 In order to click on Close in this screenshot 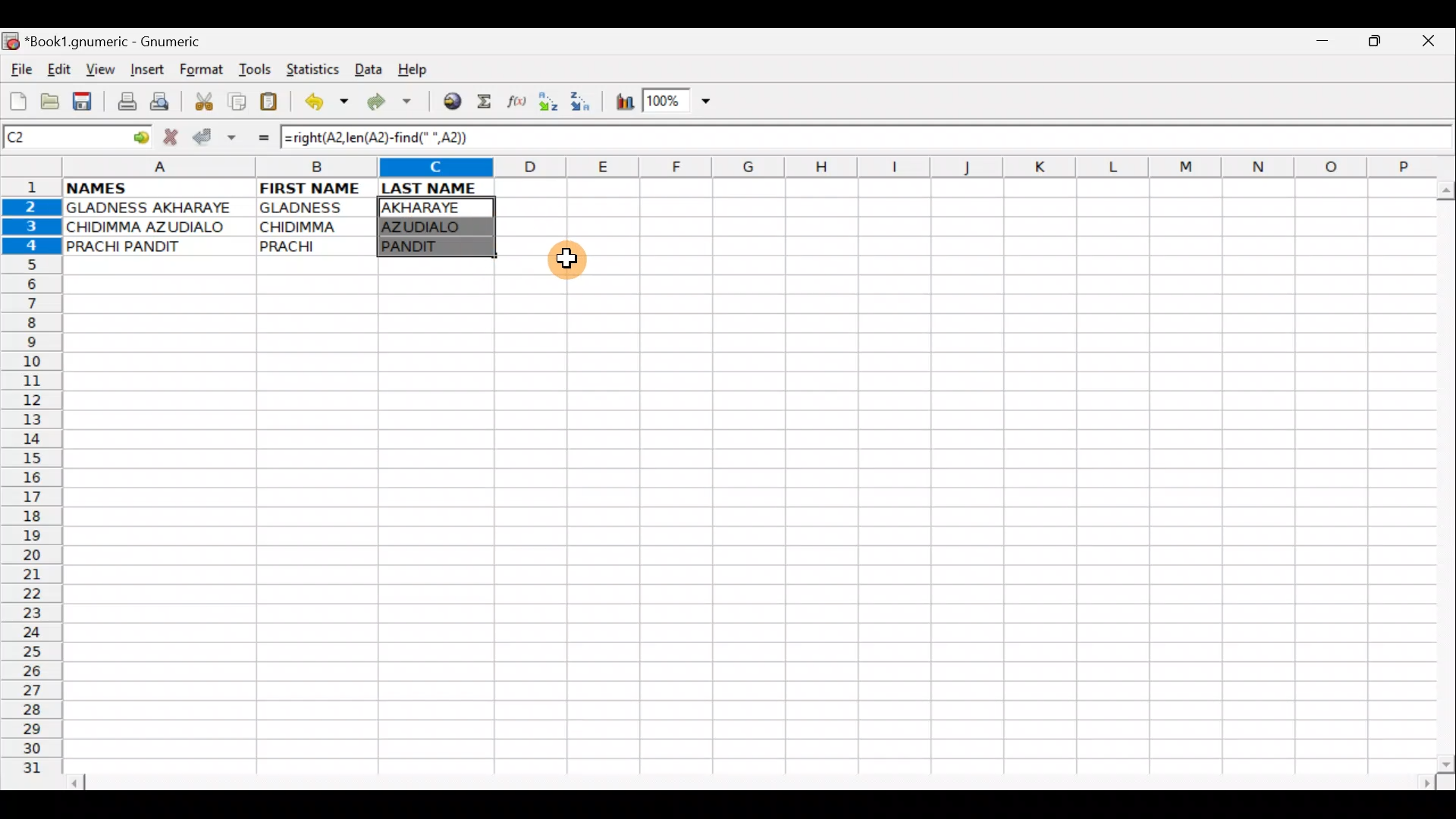, I will do `click(1432, 45)`.